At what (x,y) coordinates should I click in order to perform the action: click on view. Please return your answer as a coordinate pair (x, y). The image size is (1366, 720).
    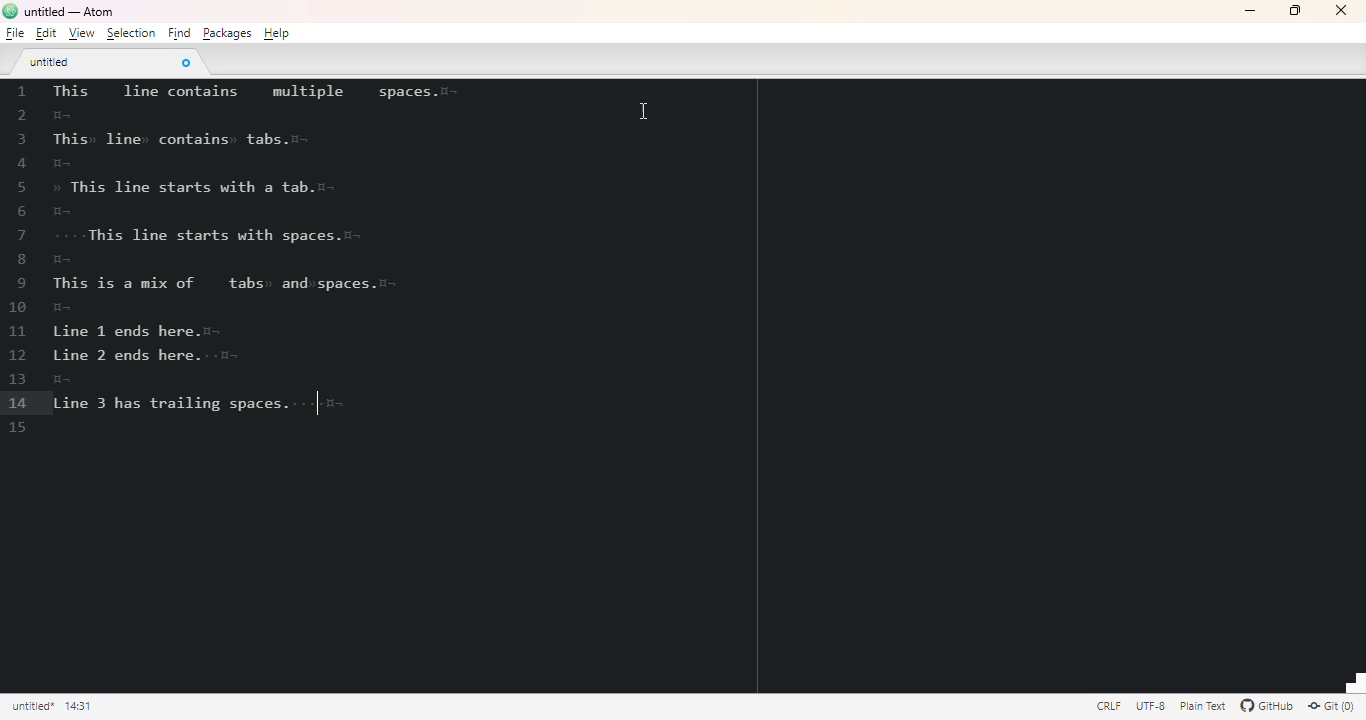
    Looking at the image, I should click on (81, 34).